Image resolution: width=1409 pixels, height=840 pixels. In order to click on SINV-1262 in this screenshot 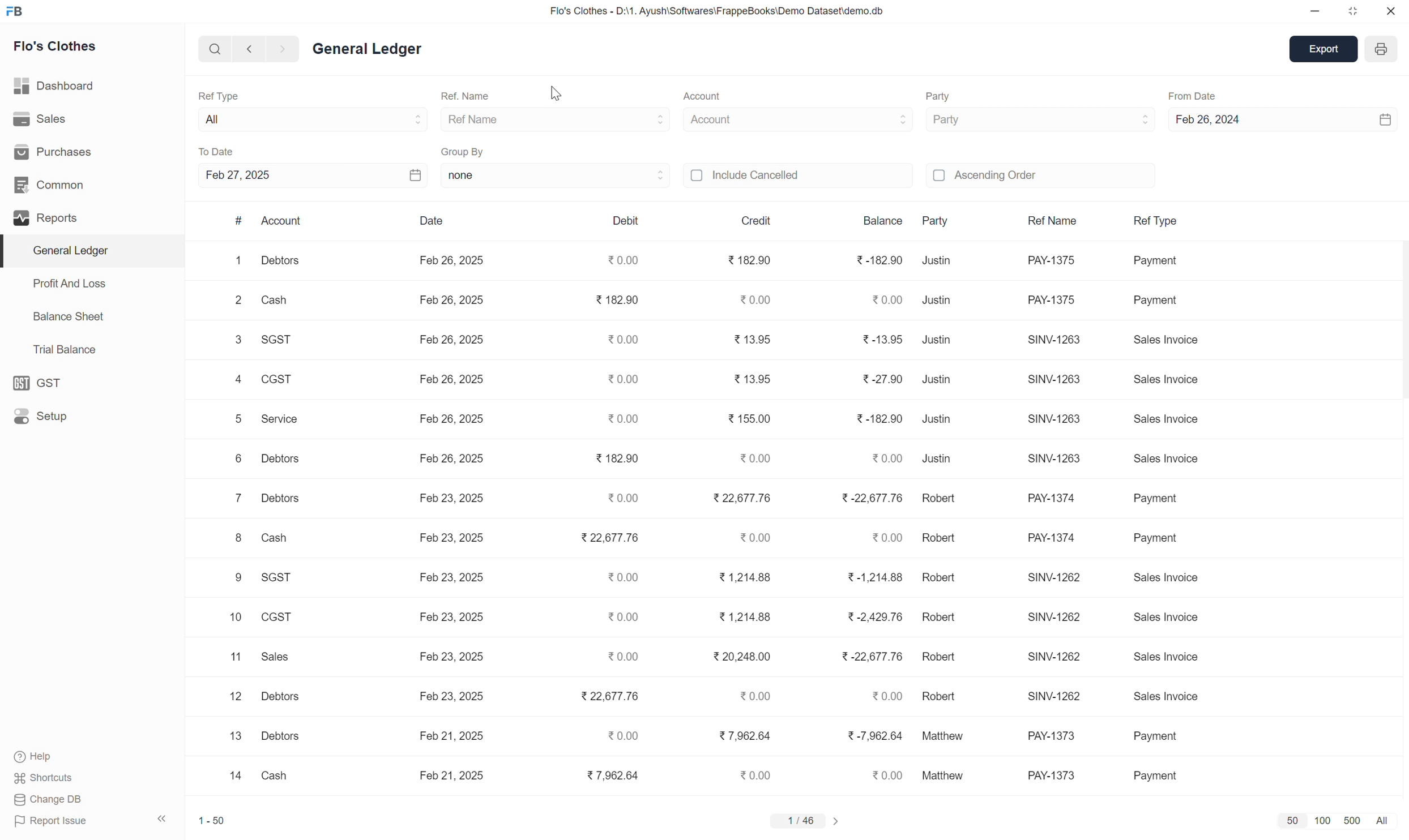, I will do `click(1047, 577)`.